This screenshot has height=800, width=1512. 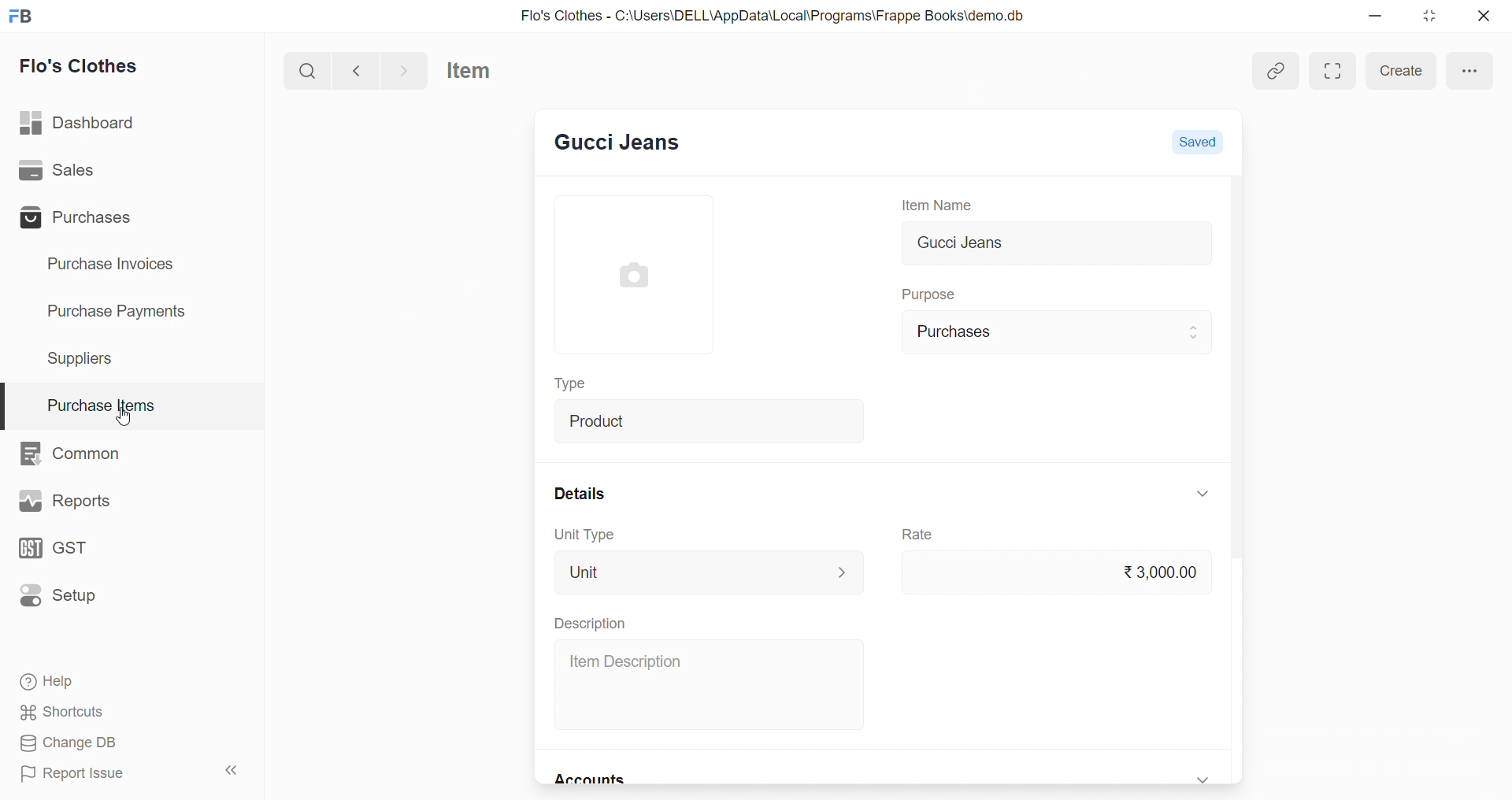 I want to click on GST, so click(x=74, y=550).